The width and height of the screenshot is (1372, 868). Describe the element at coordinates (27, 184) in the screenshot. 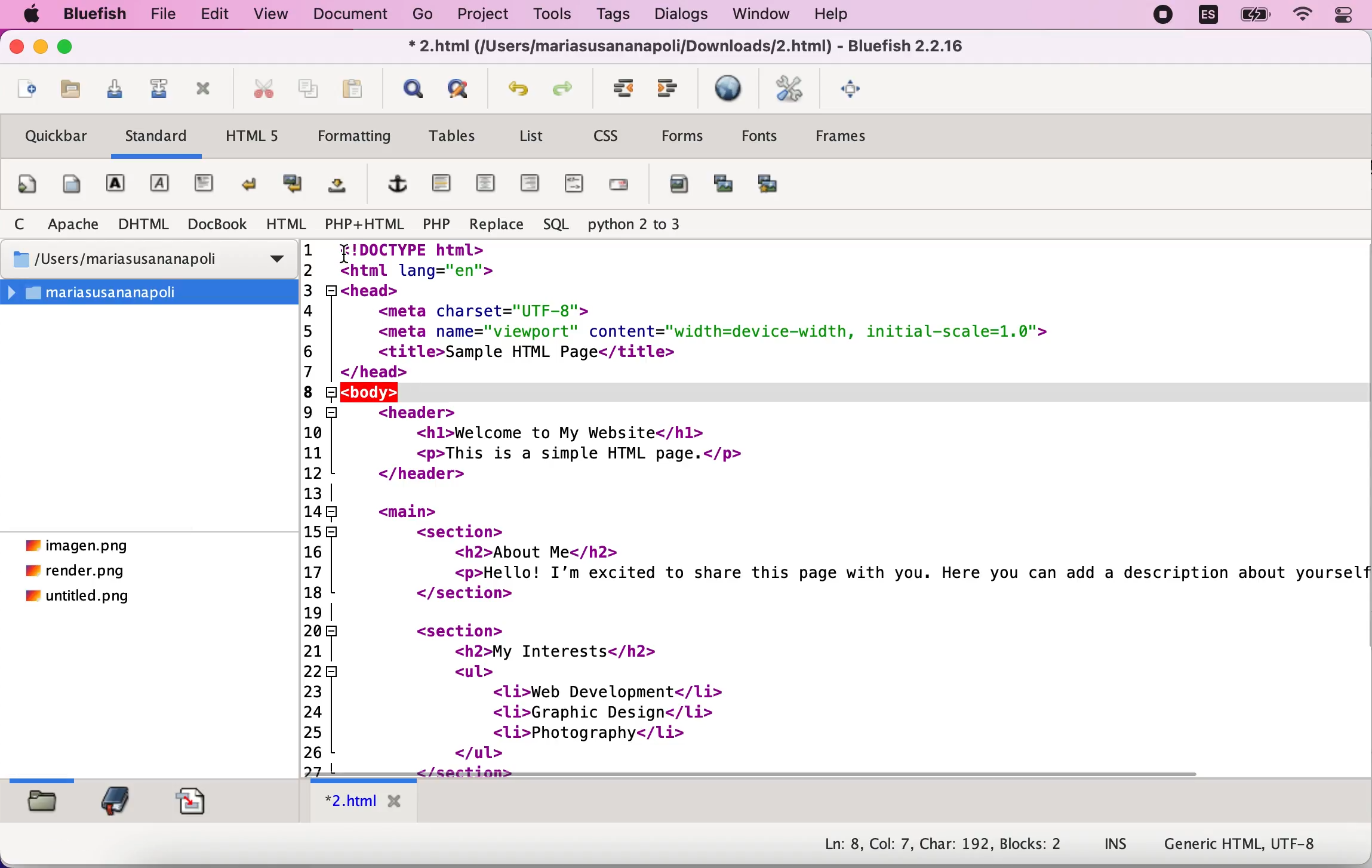

I see `quickstart` at that location.